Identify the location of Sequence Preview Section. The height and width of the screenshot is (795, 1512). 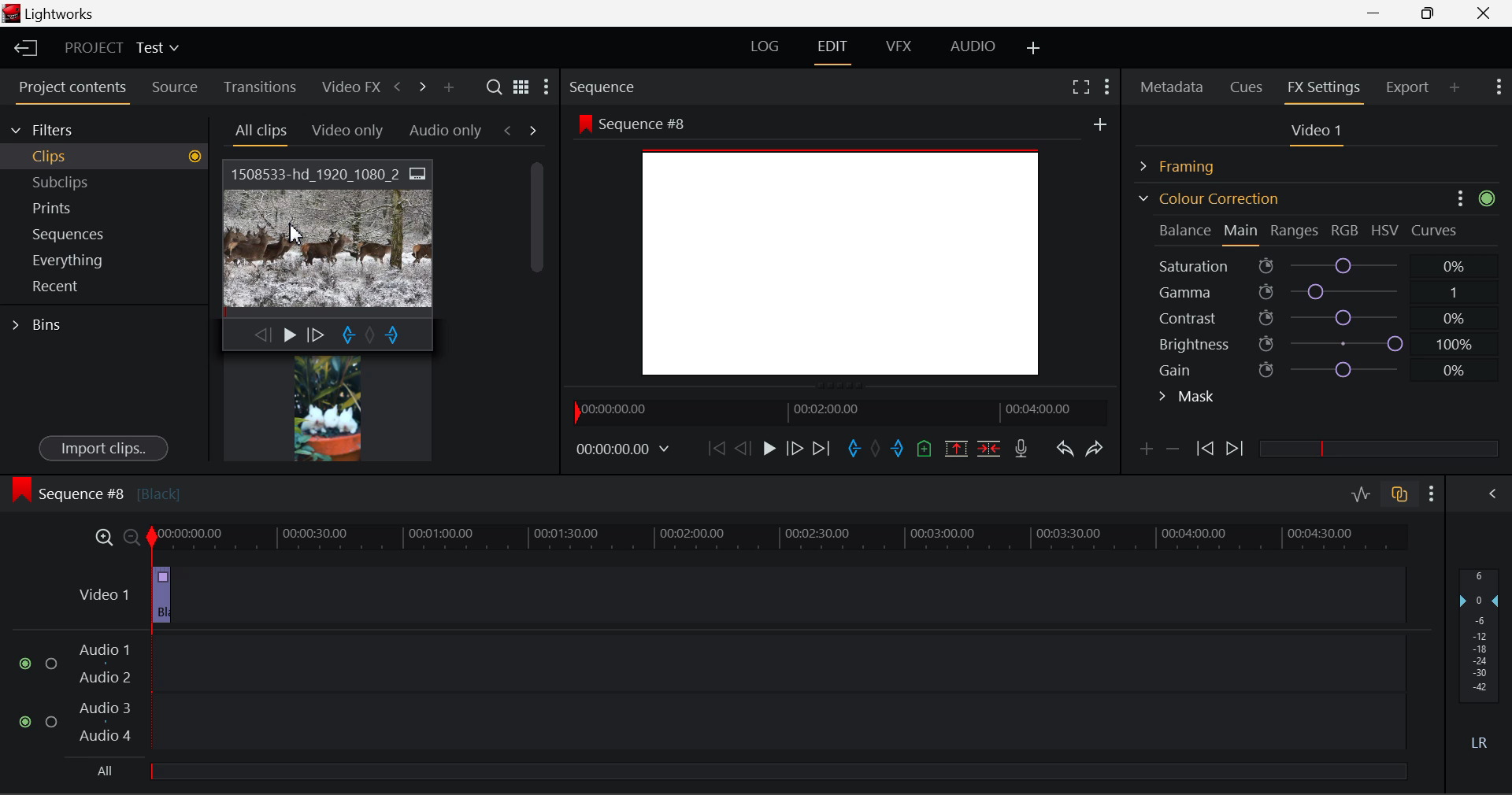
(606, 88).